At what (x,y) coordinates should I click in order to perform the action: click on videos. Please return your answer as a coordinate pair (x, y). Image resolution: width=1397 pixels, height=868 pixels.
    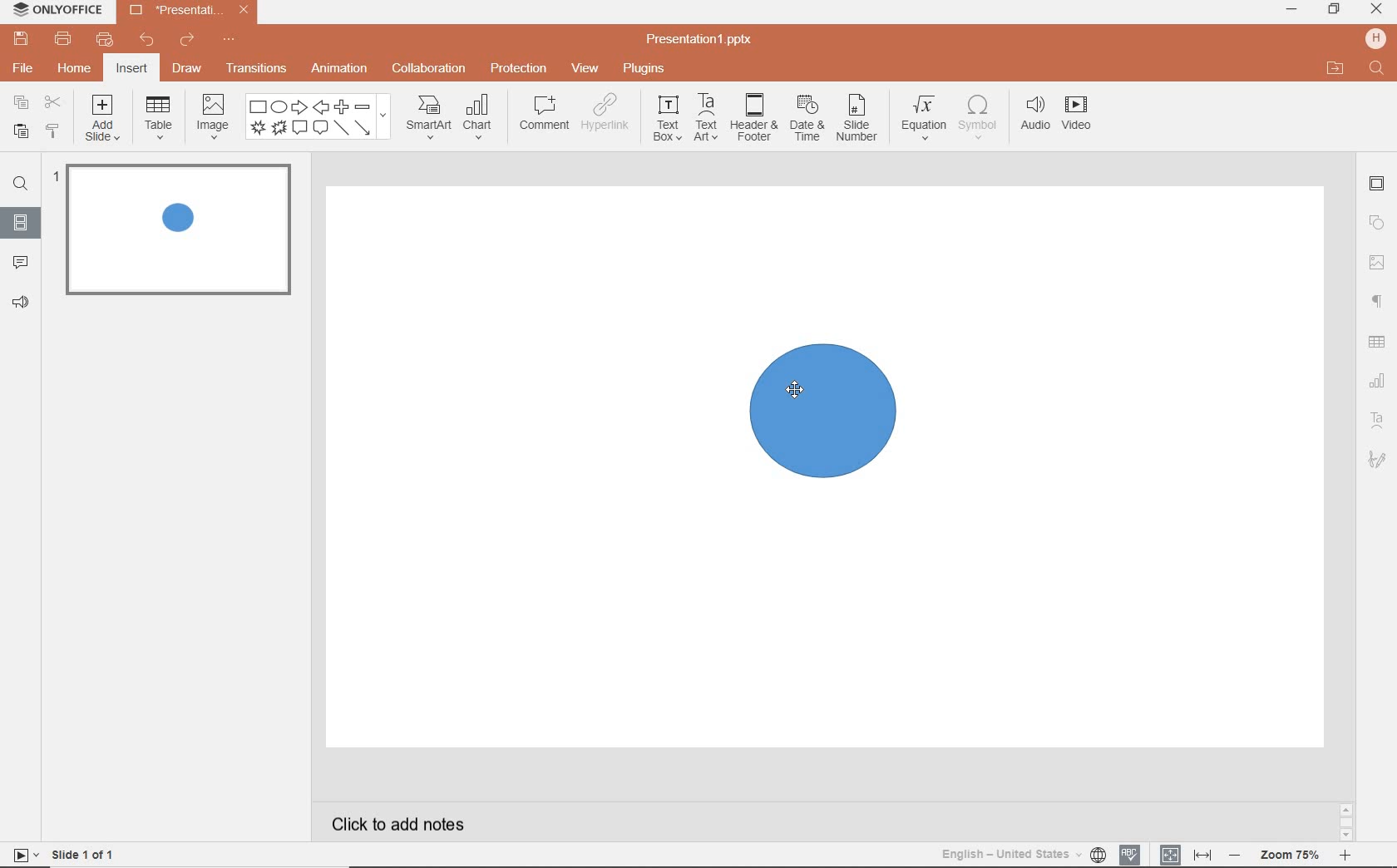
    Looking at the image, I should click on (1079, 115).